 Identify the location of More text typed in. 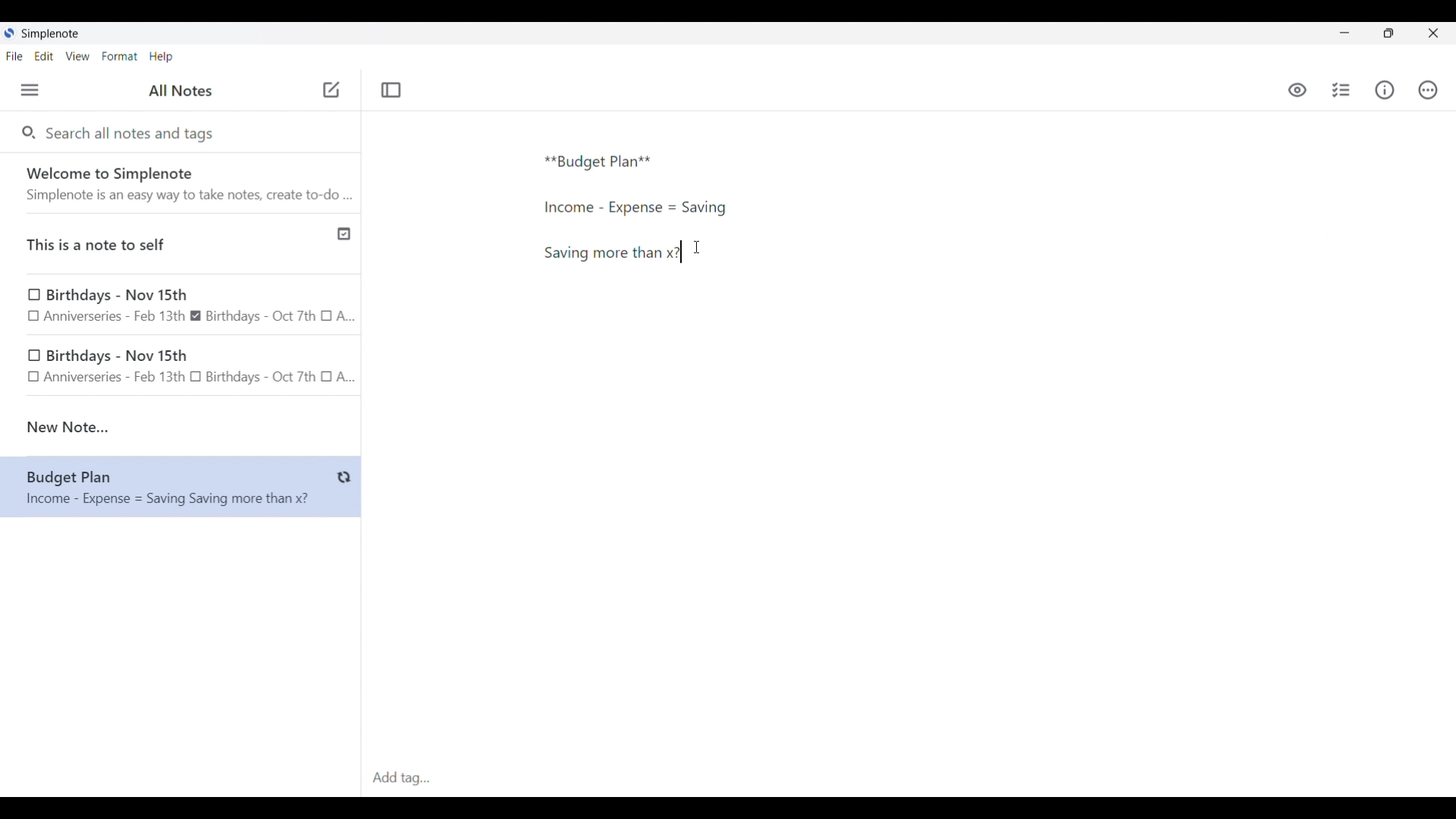
(634, 208).